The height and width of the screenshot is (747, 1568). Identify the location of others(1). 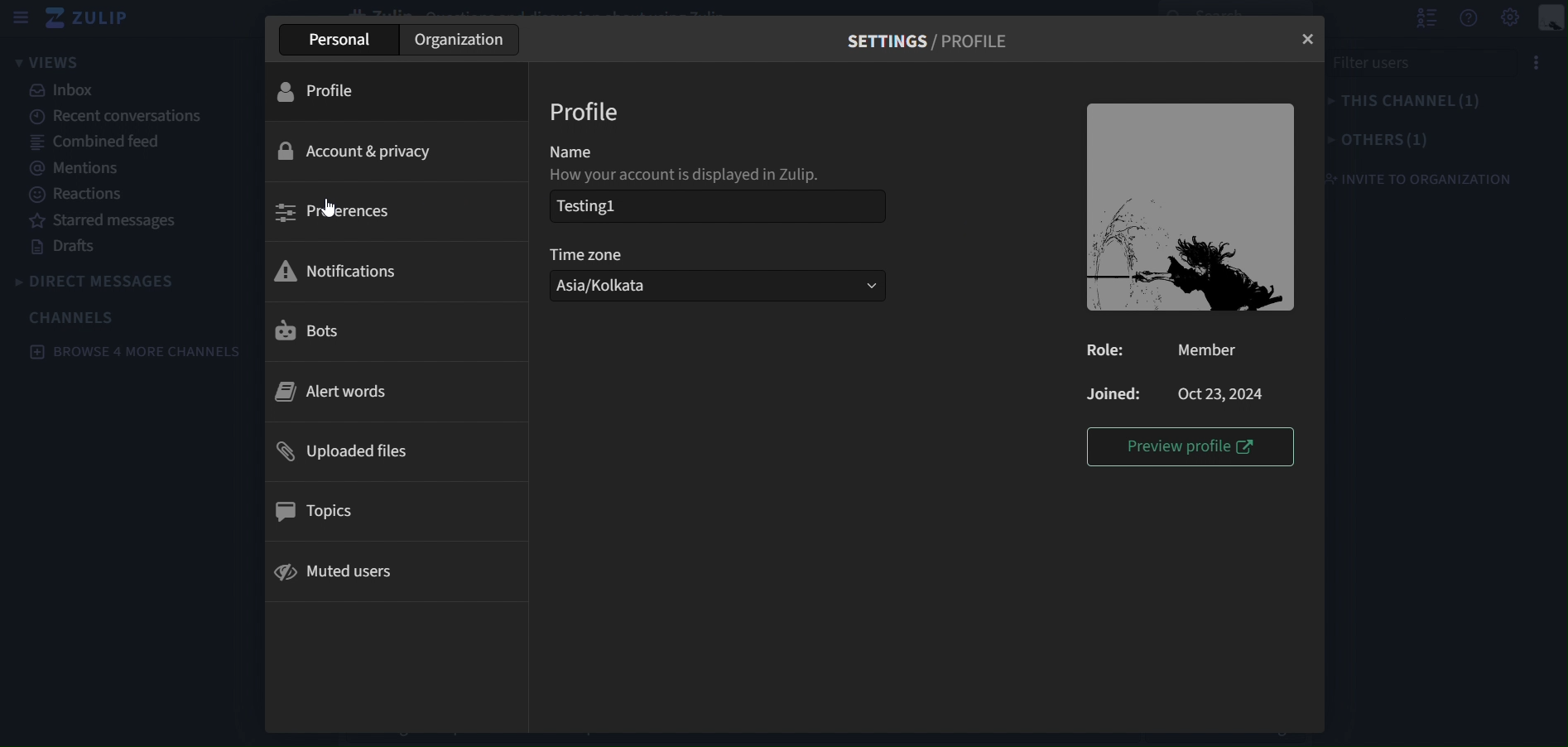
(1382, 139).